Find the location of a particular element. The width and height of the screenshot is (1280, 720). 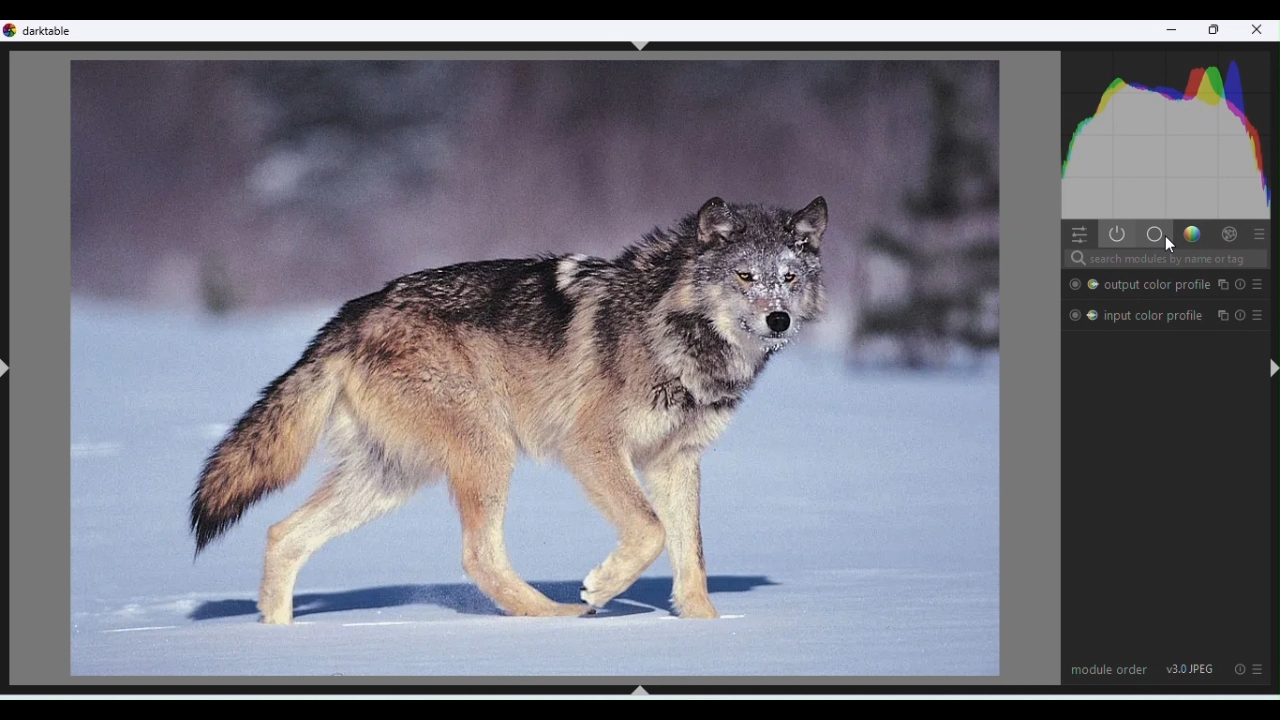

checkbox is located at coordinates (1075, 315).